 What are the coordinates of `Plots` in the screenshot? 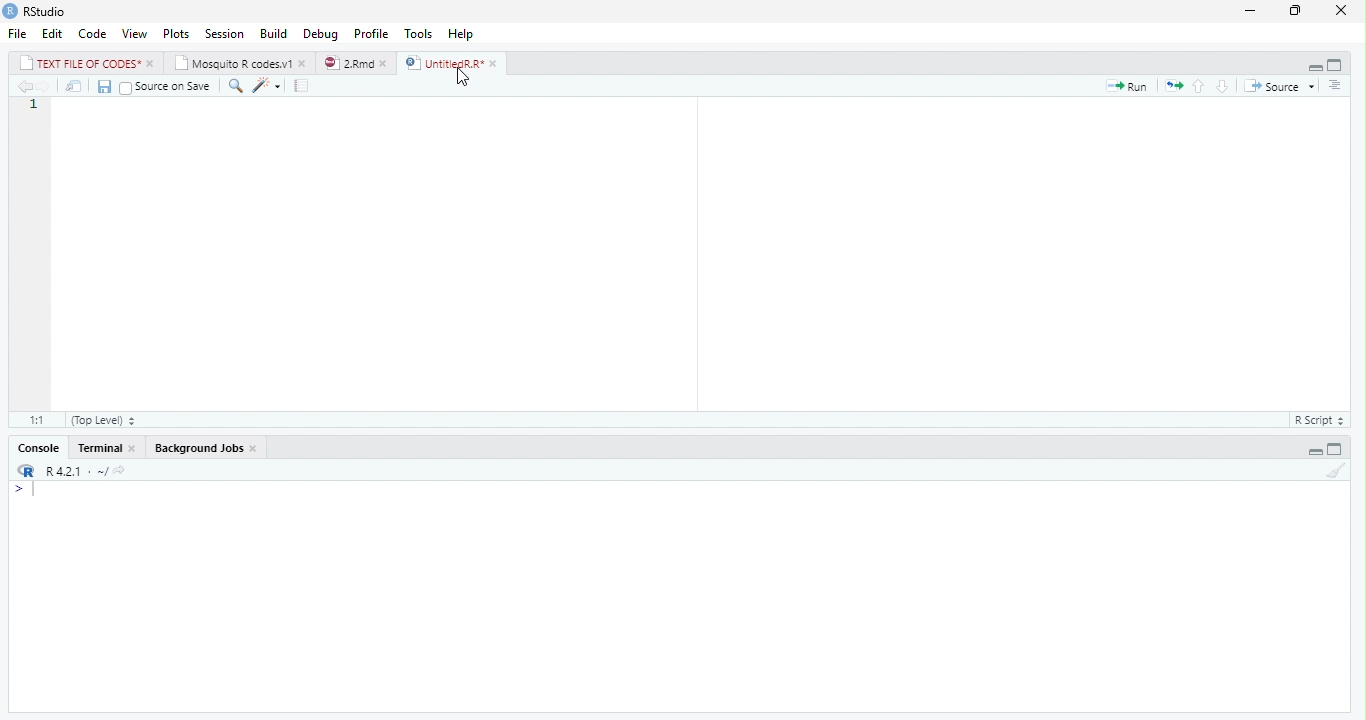 It's located at (176, 33).